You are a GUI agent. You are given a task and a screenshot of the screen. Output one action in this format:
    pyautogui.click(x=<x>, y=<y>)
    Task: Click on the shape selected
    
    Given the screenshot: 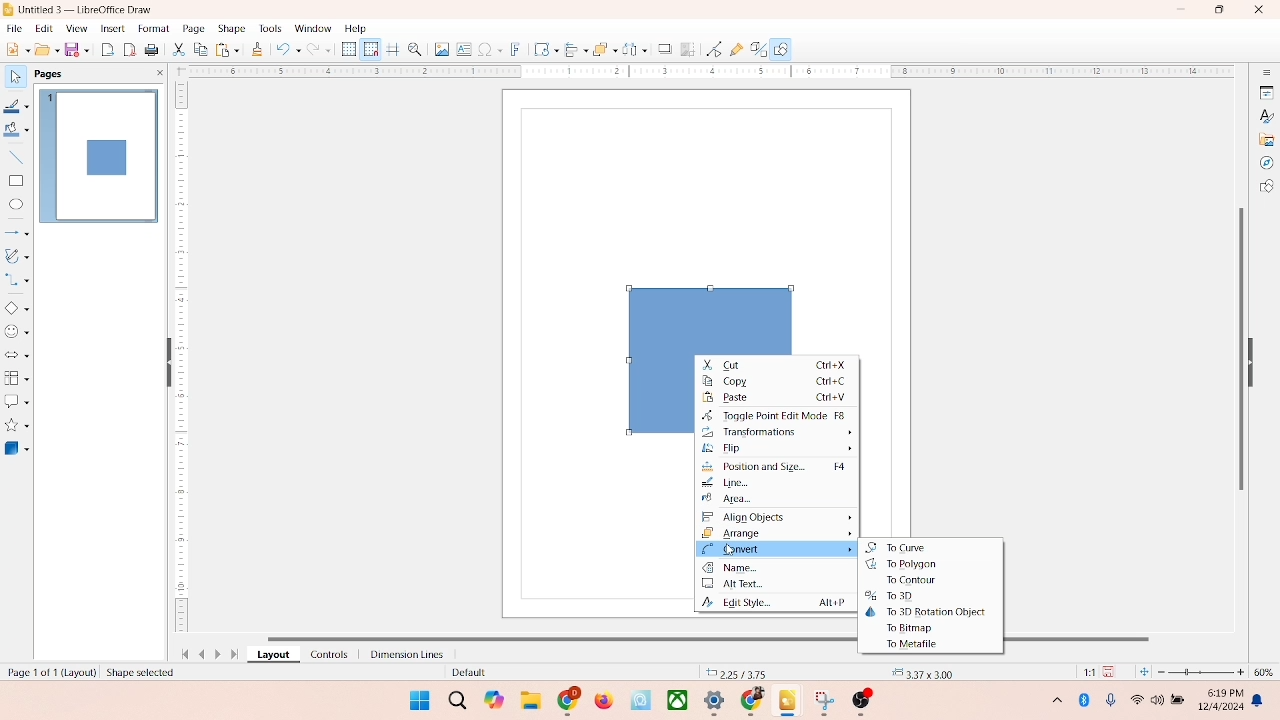 What is the action you would take?
    pyautogui.click(x=146, y=674)
    